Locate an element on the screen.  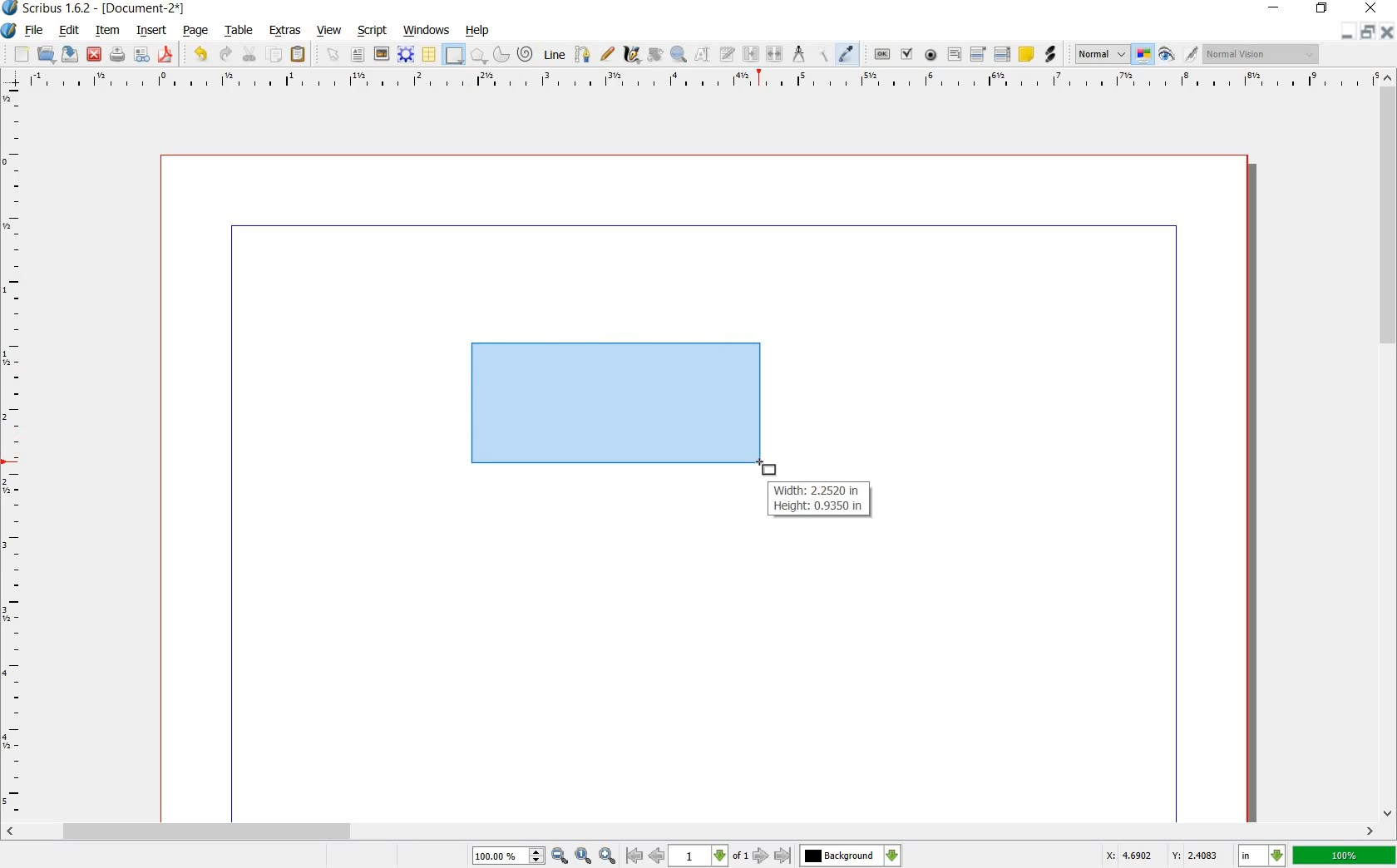
zoom to is located at coordinates (583, 856).